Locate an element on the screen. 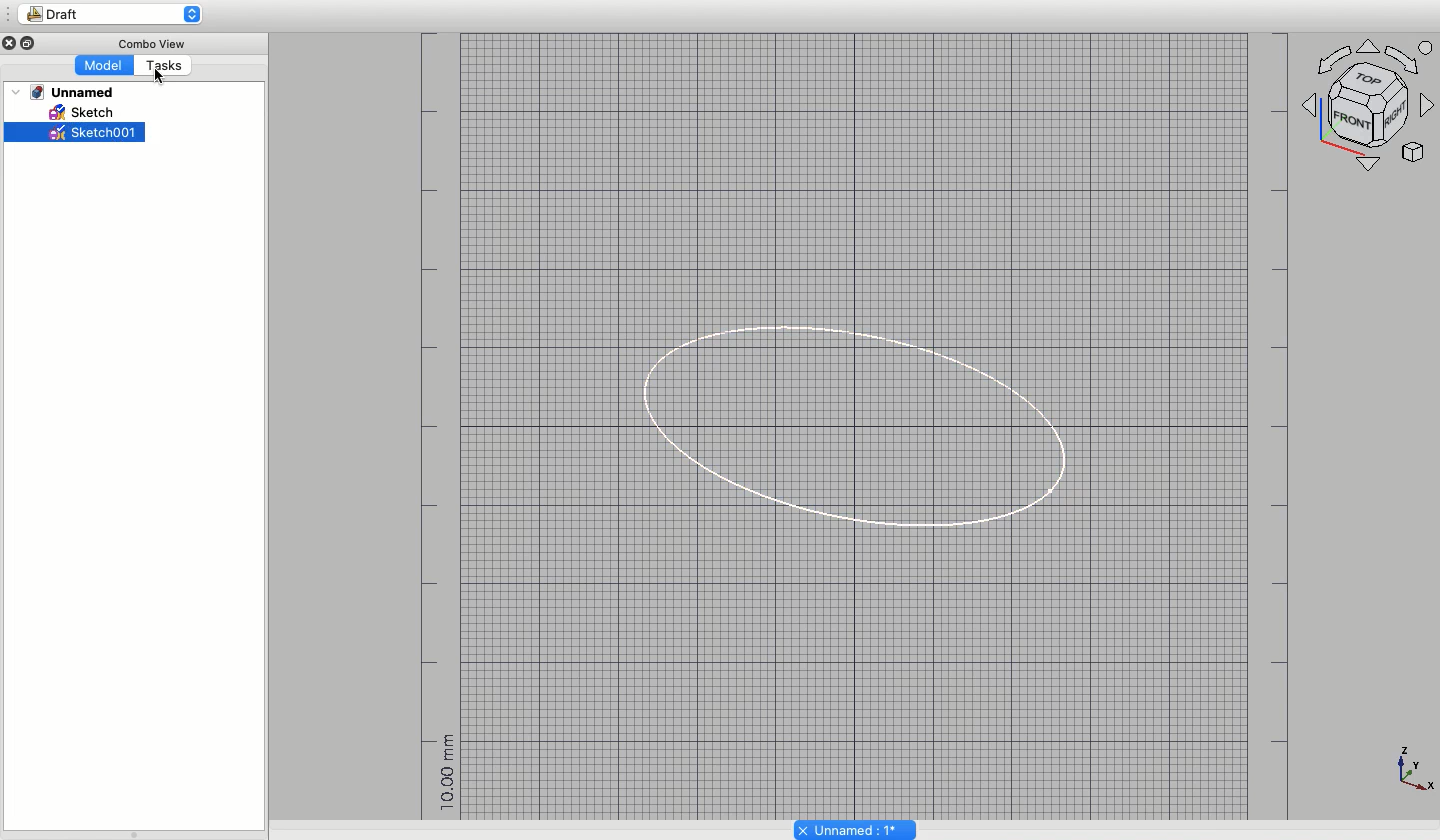 The height and width of the screenshot is (840, 1440). Unnamed: 1 is located at coordinates (856, 828).